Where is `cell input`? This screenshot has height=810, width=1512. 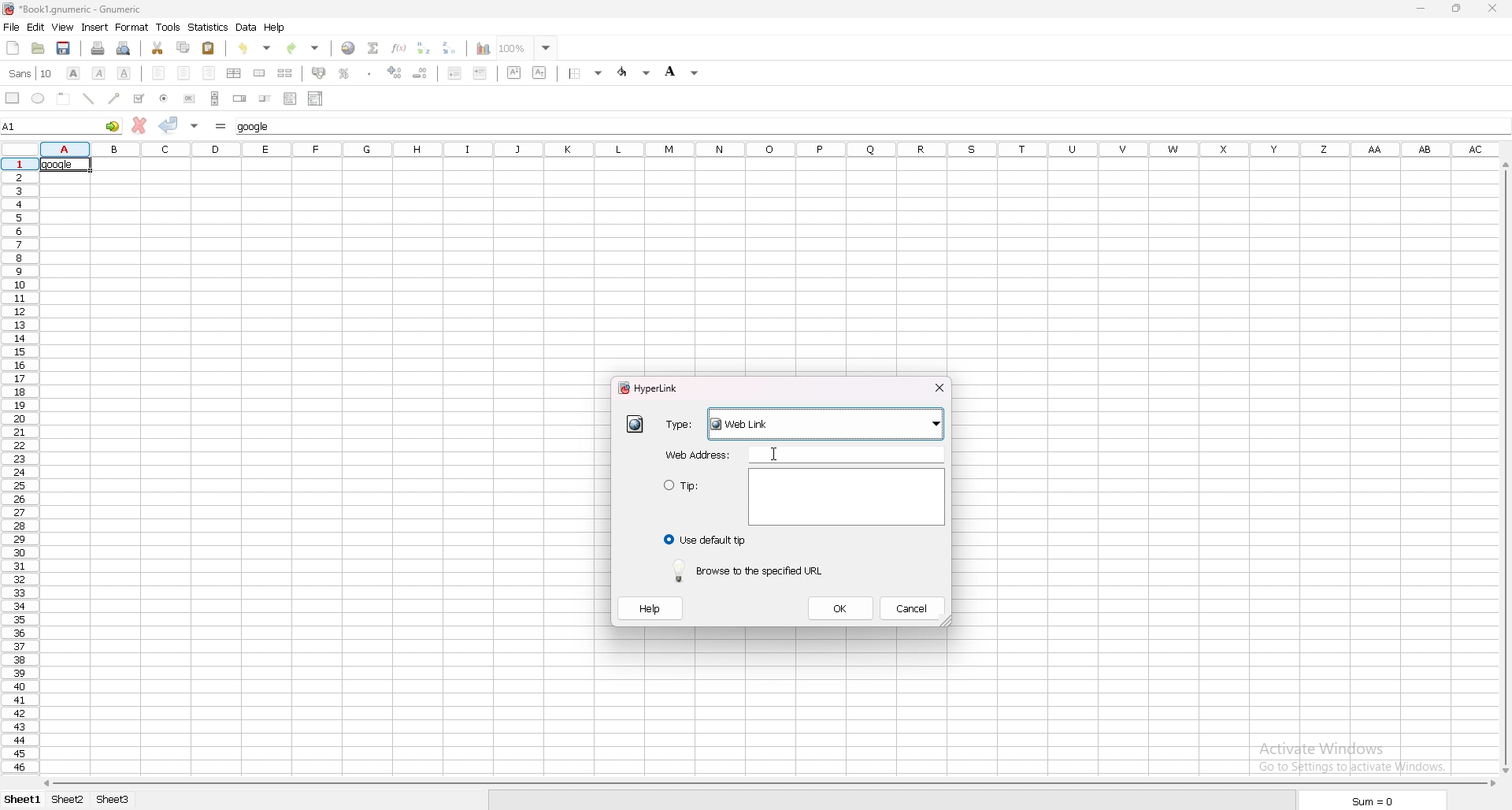 cell input is located at coordinates (260, 127).